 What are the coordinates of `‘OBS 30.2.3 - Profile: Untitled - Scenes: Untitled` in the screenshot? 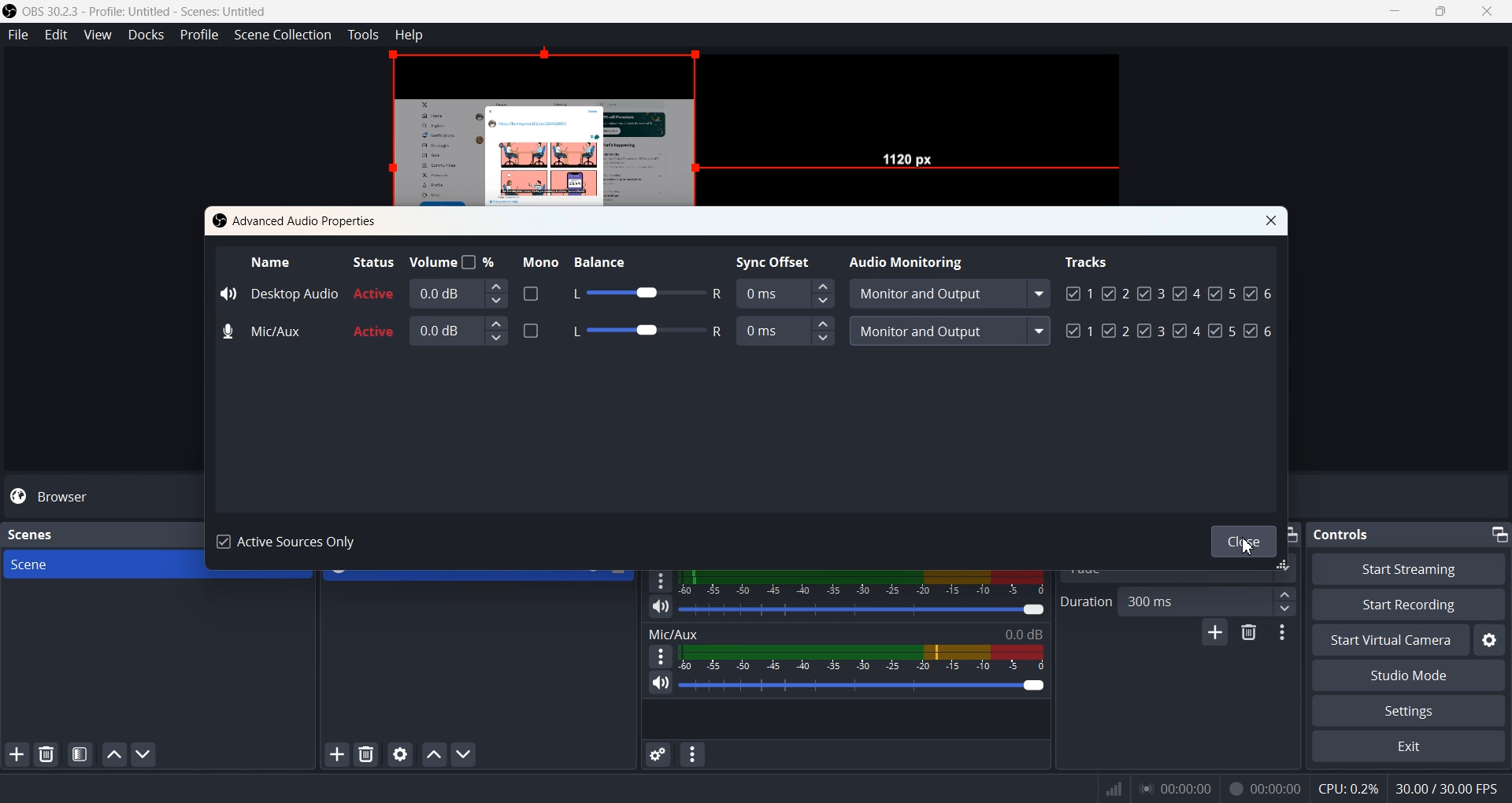 It's located at (148, 11).